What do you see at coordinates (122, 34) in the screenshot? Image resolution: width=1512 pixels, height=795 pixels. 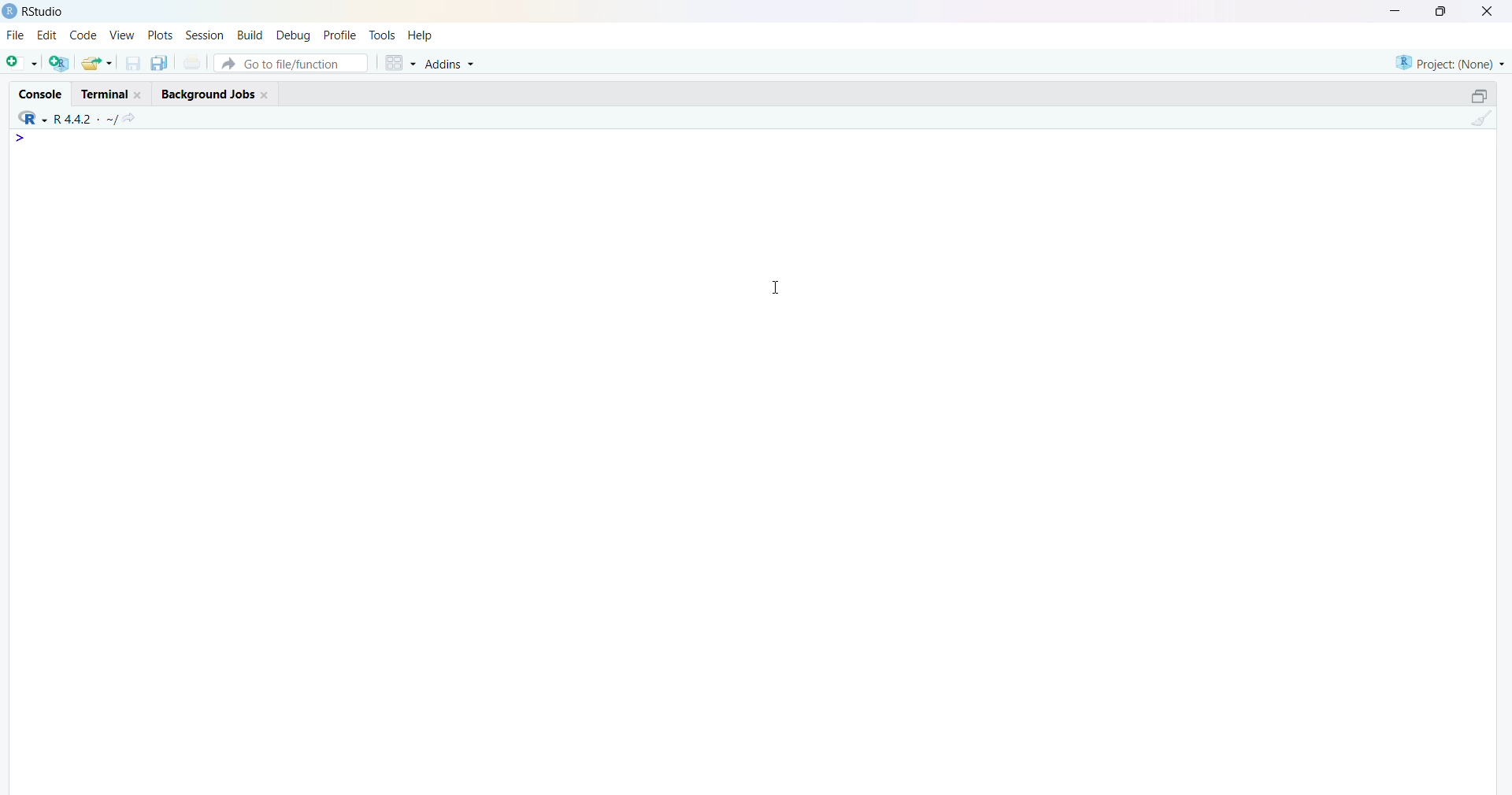 I see `view` at bounding box center [122, 34].